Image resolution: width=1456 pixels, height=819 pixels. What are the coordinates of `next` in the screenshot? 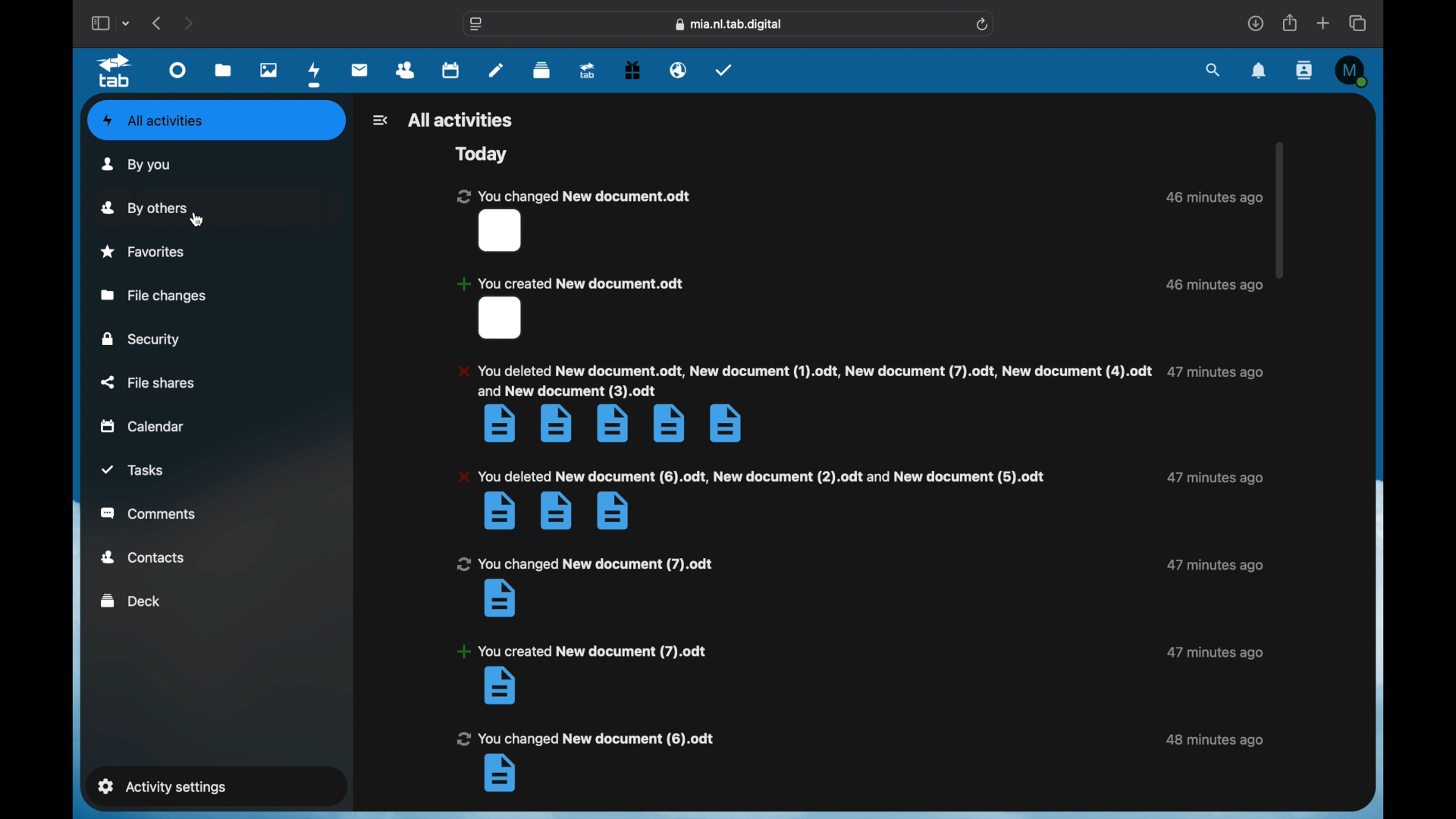 It's located at (190, 24).